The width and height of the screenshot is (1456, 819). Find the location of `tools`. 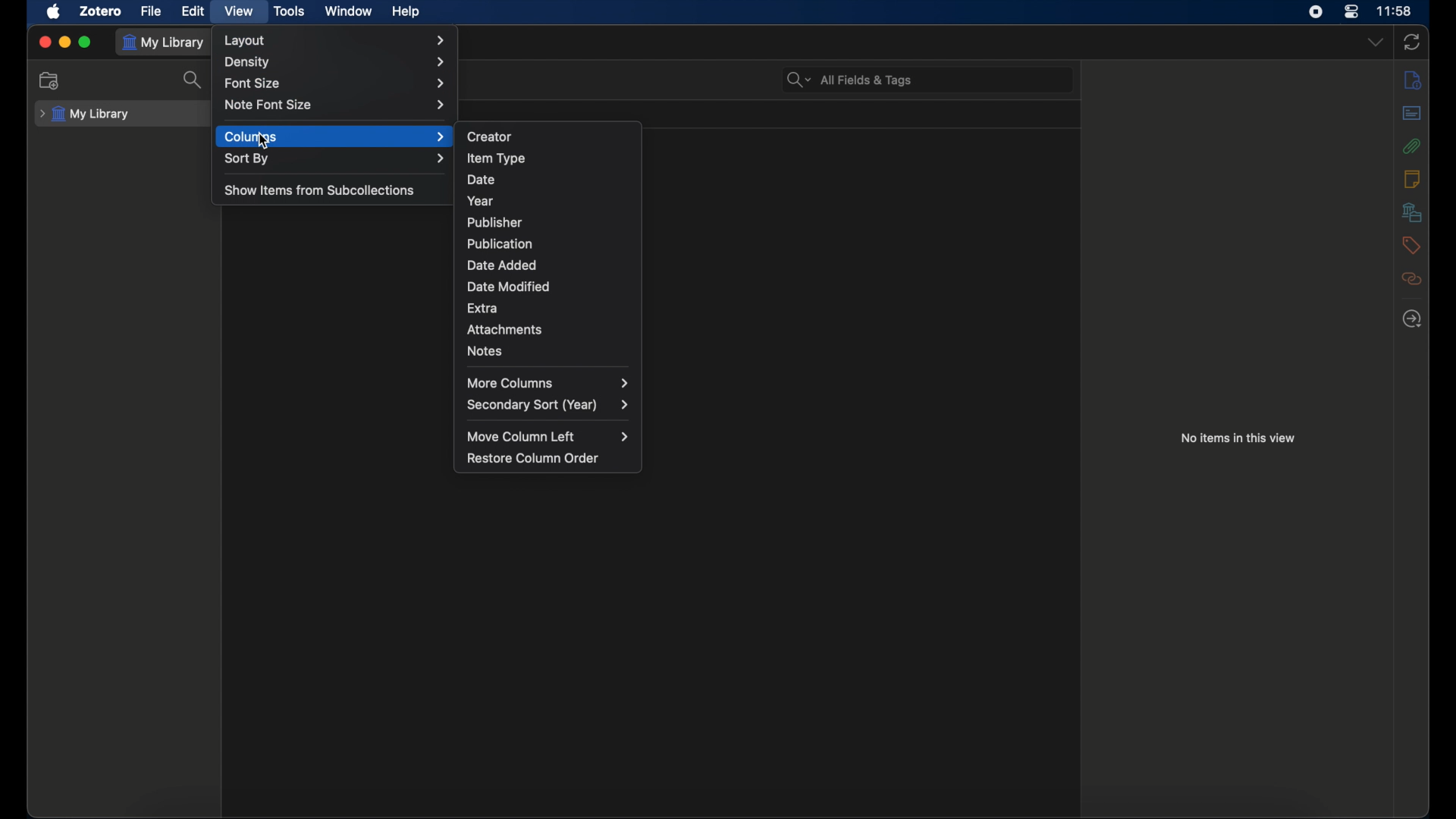

tools is located at coordinates (290, 11).